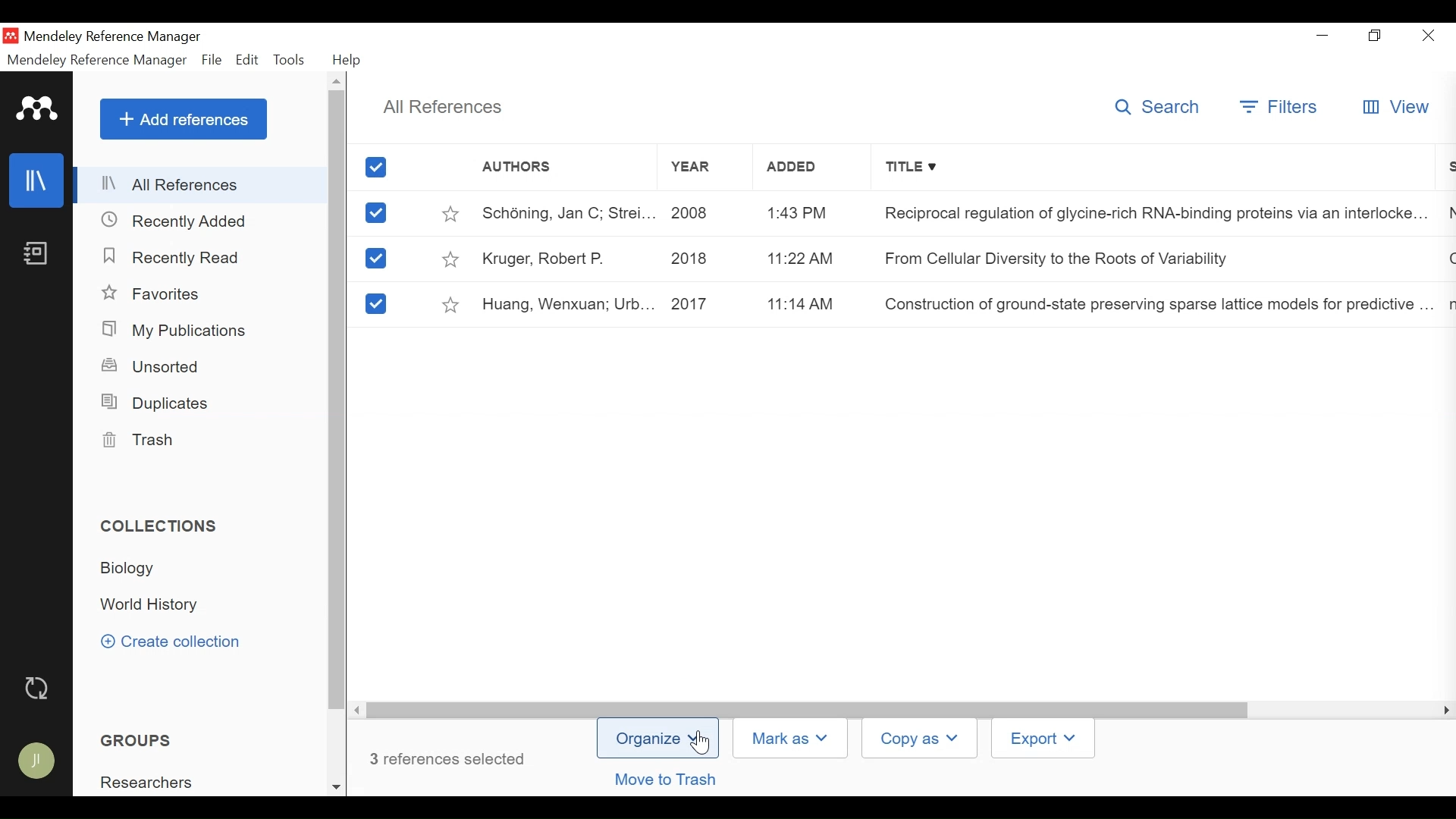  I want to click on Mendeley Reference Manager, so click(95, 60).